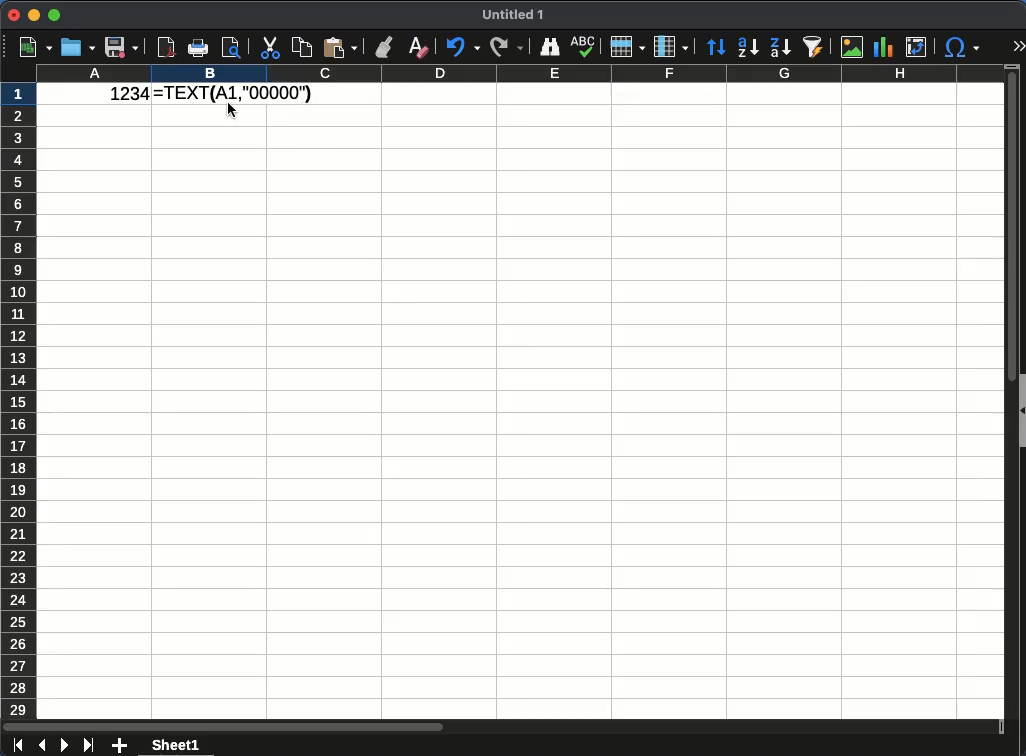 This screenshot has height=756, width=1026. Describe the element at coordinates (235, 119) in the screenshot. I see `cursor` at that location.